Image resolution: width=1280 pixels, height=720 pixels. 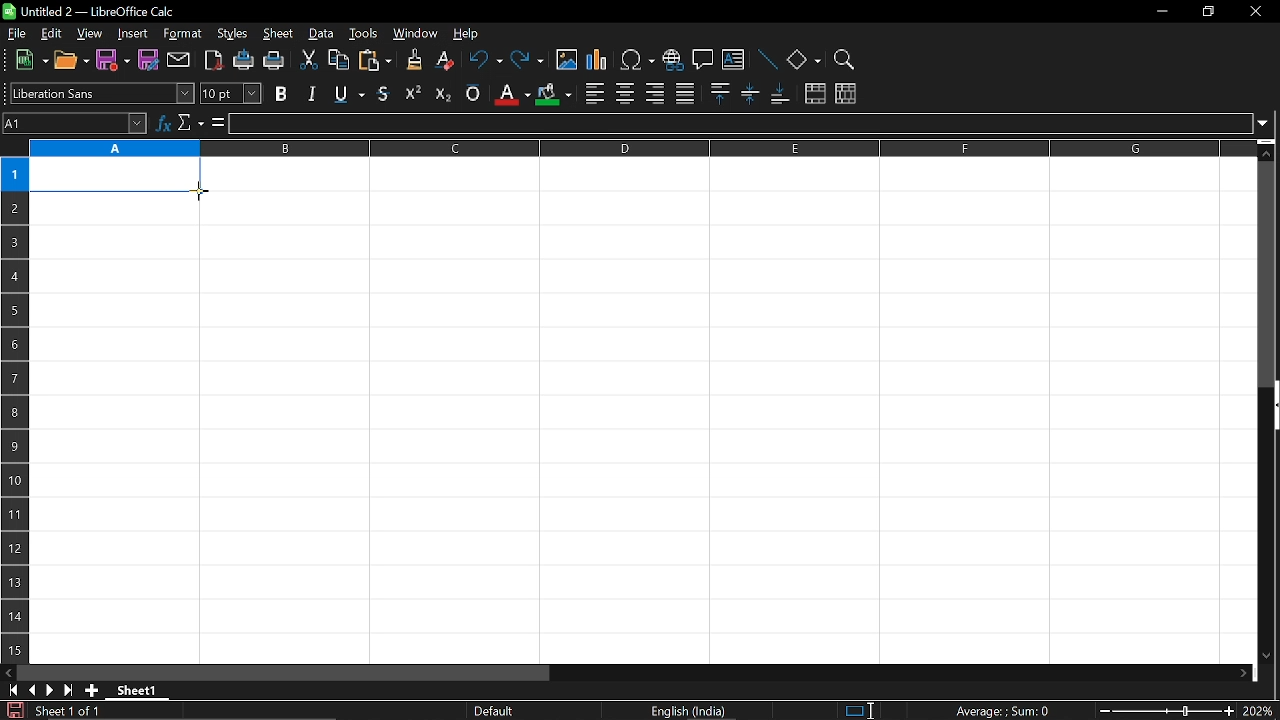 I want to click on overline, so click(x=473, y=94).